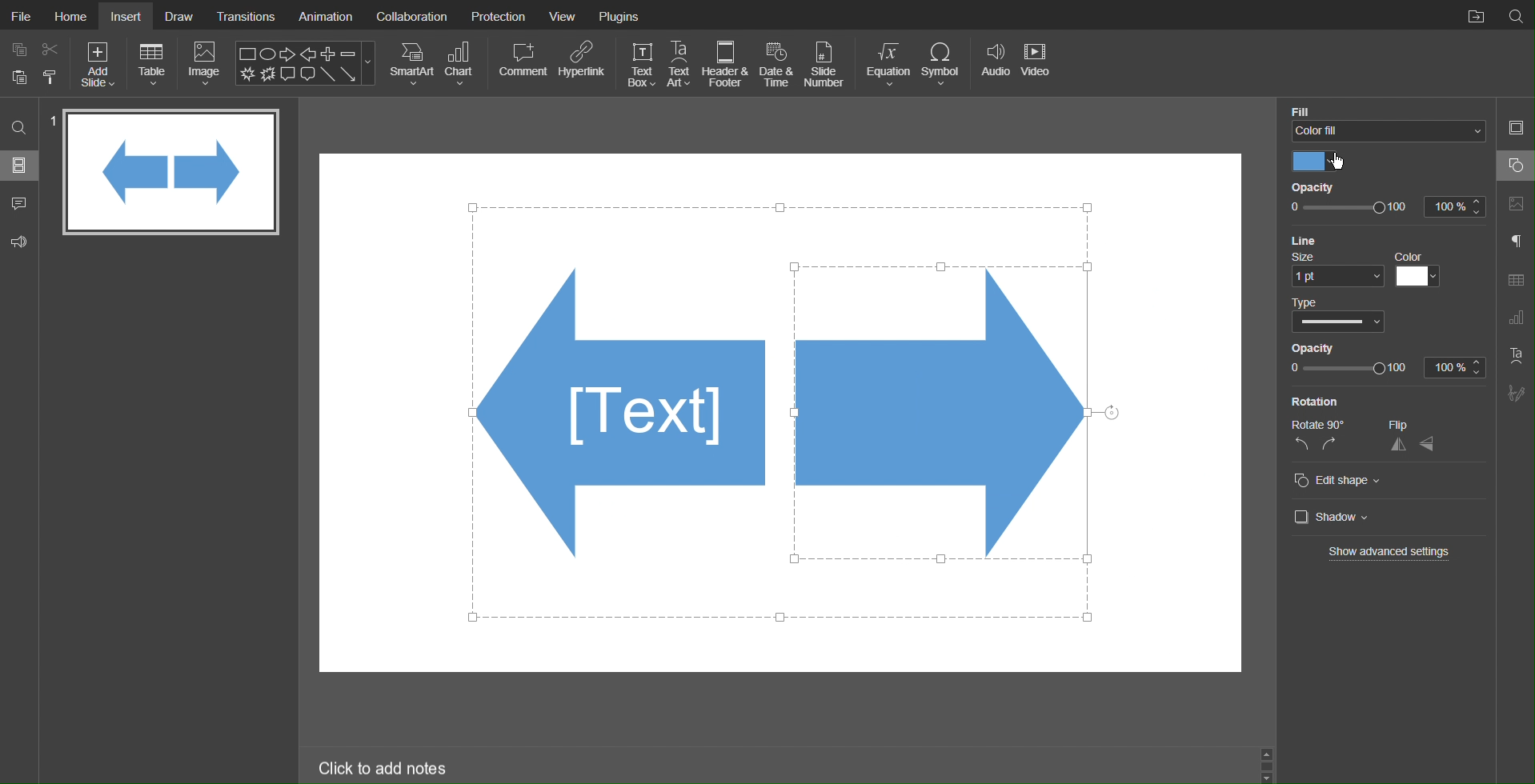 Image resolution: width=1535 pixels, height=784 pixels. Describe the element at coordinates (1336, 518) in the screenshot. I see `Shadow` at that location.